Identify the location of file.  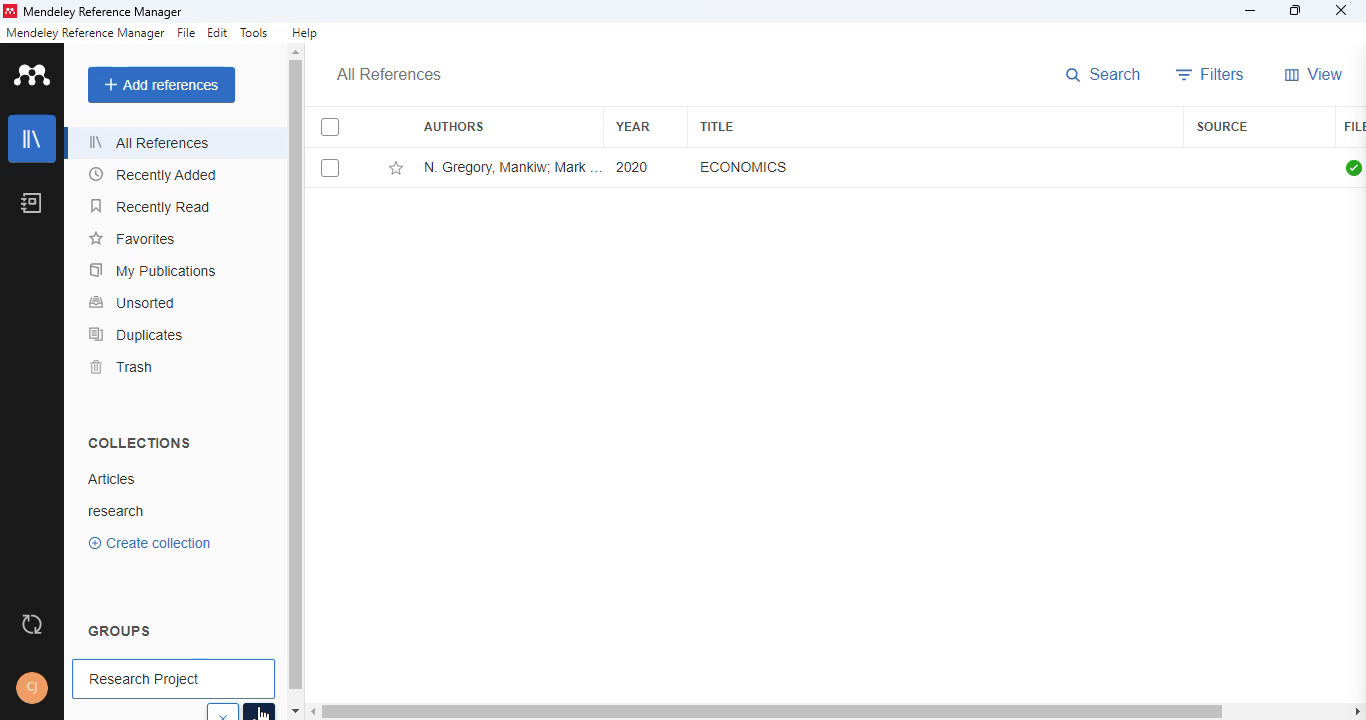
(186, 32).